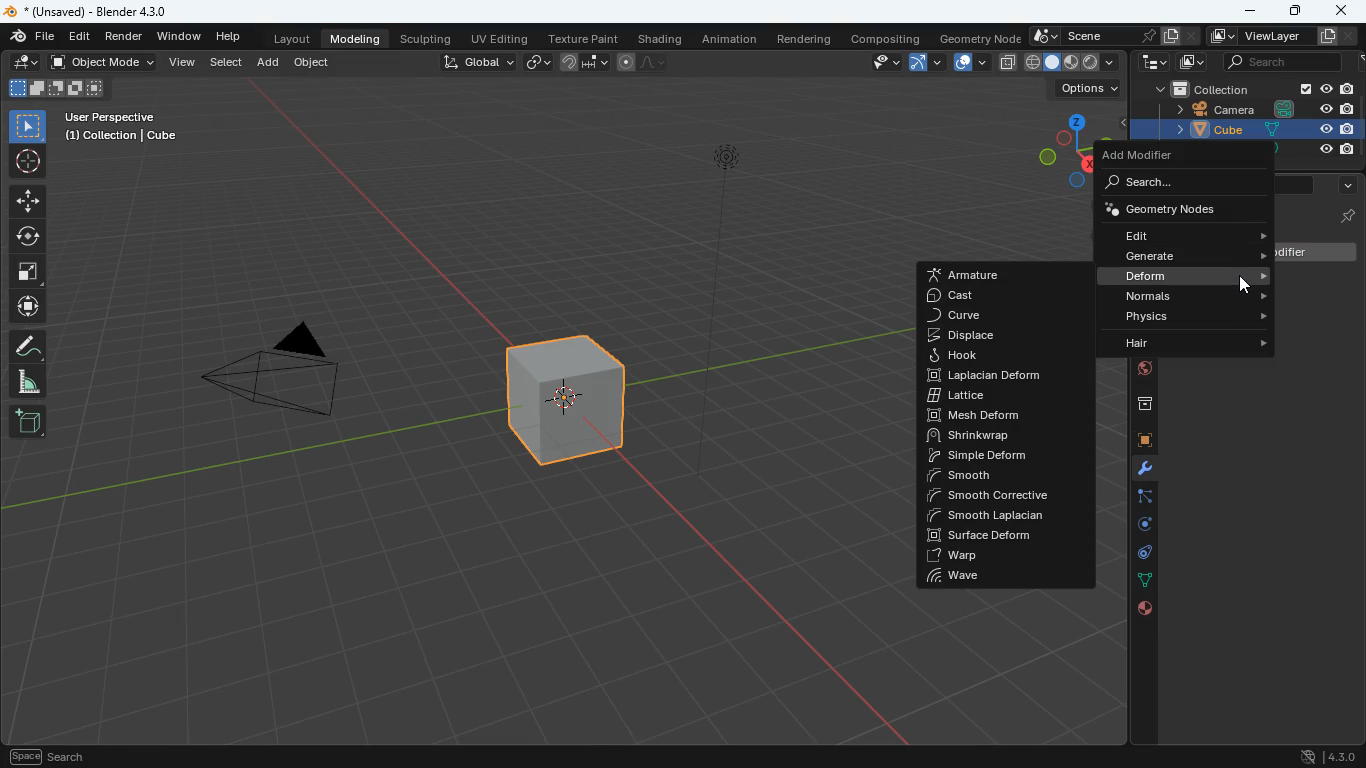 Image resolution: width=1366 pixels, height=768 pixels. I want to click on select, so click(227, 63).